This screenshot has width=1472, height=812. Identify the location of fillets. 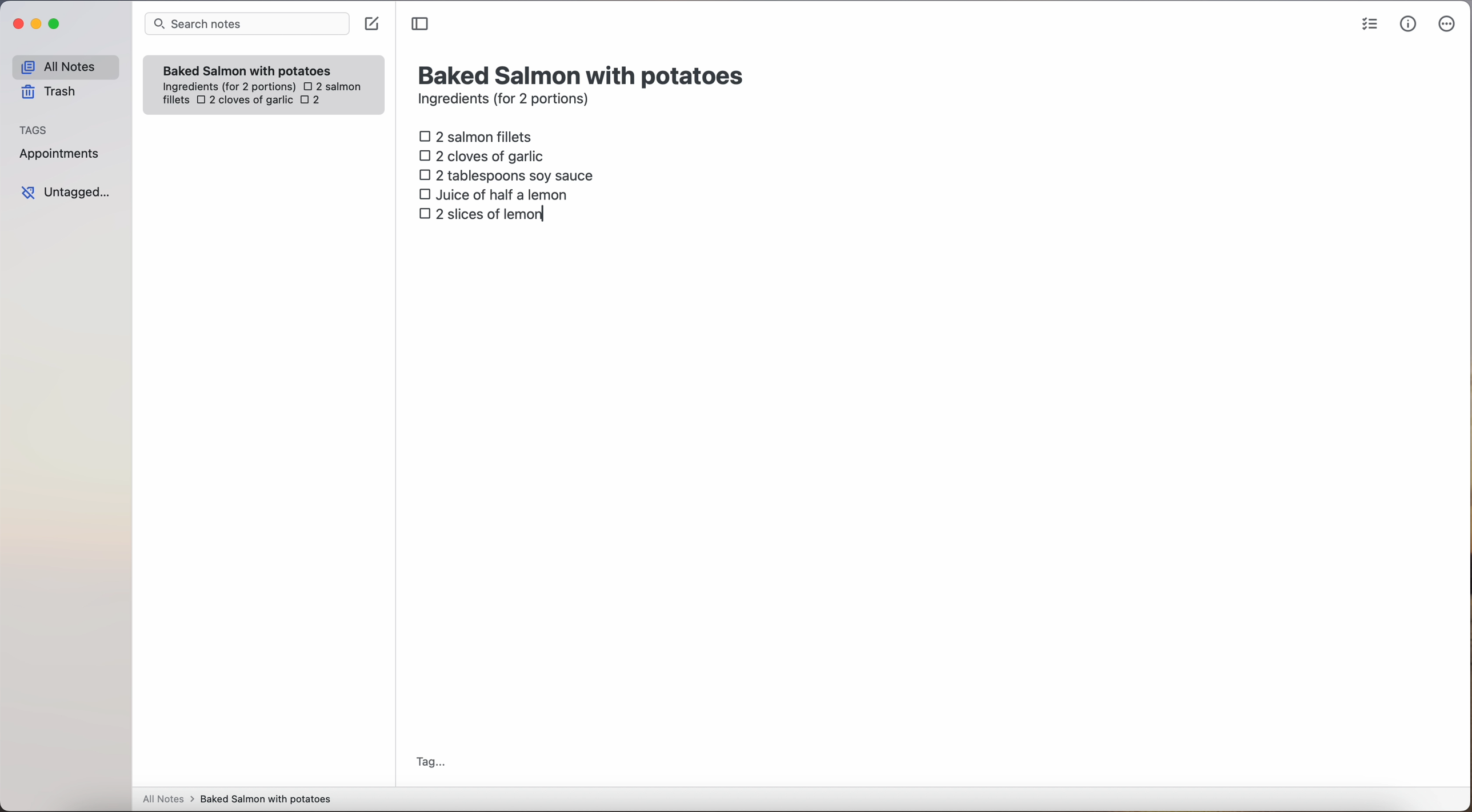
(177, 101).